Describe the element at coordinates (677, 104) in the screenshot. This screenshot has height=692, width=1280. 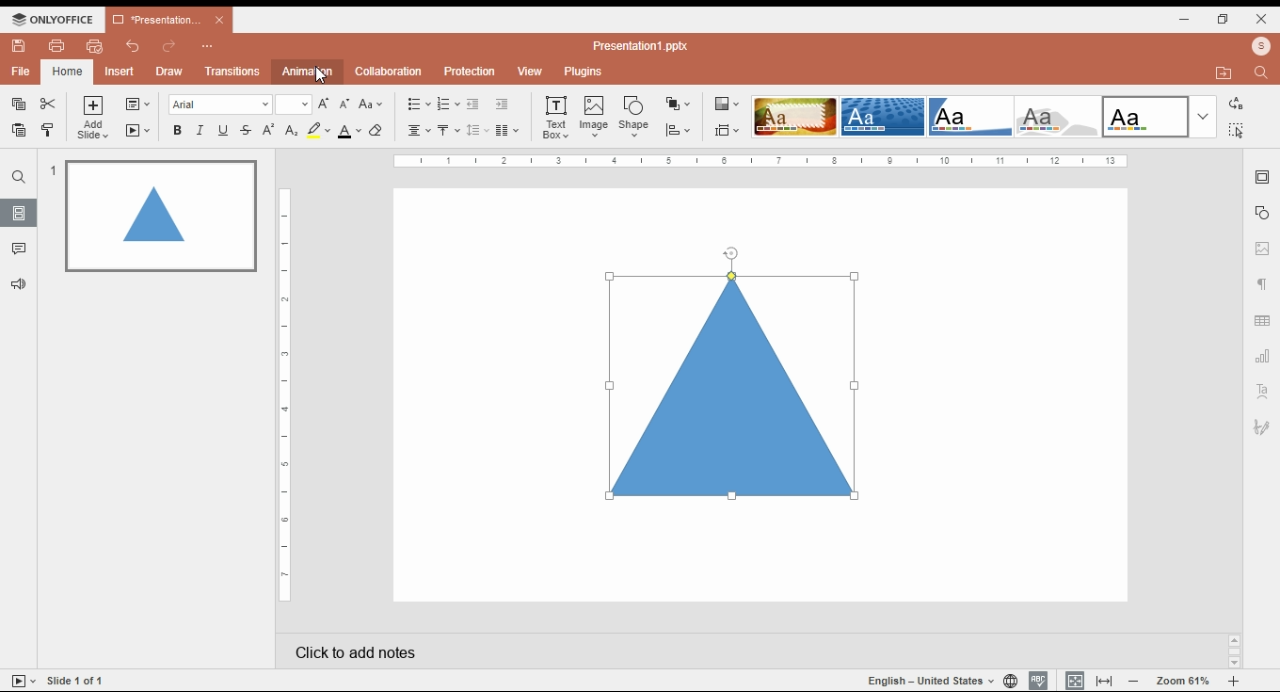
I see `arrange objects` at that location.